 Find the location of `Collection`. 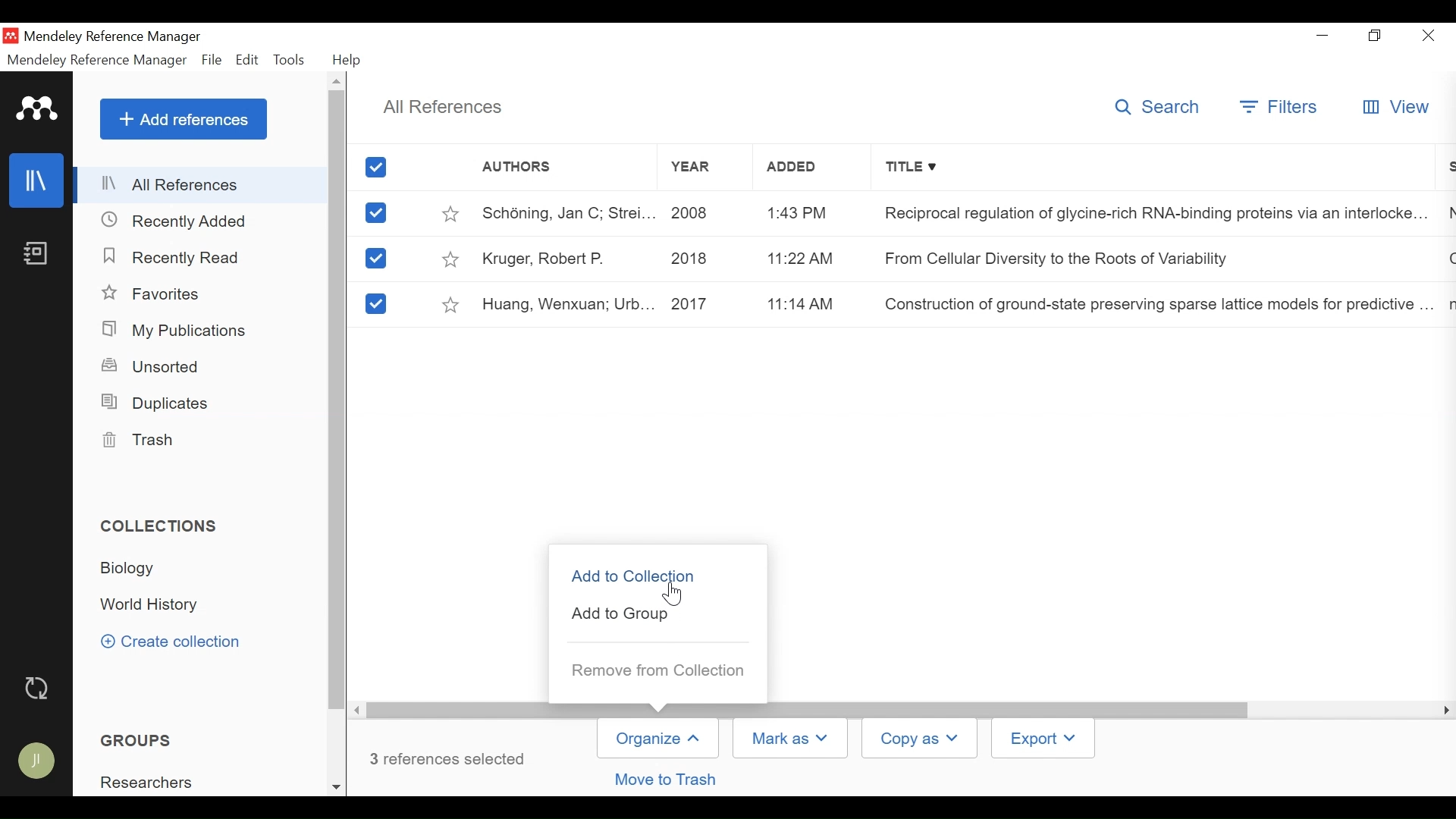

Collection is located at coordinates (133, 569).